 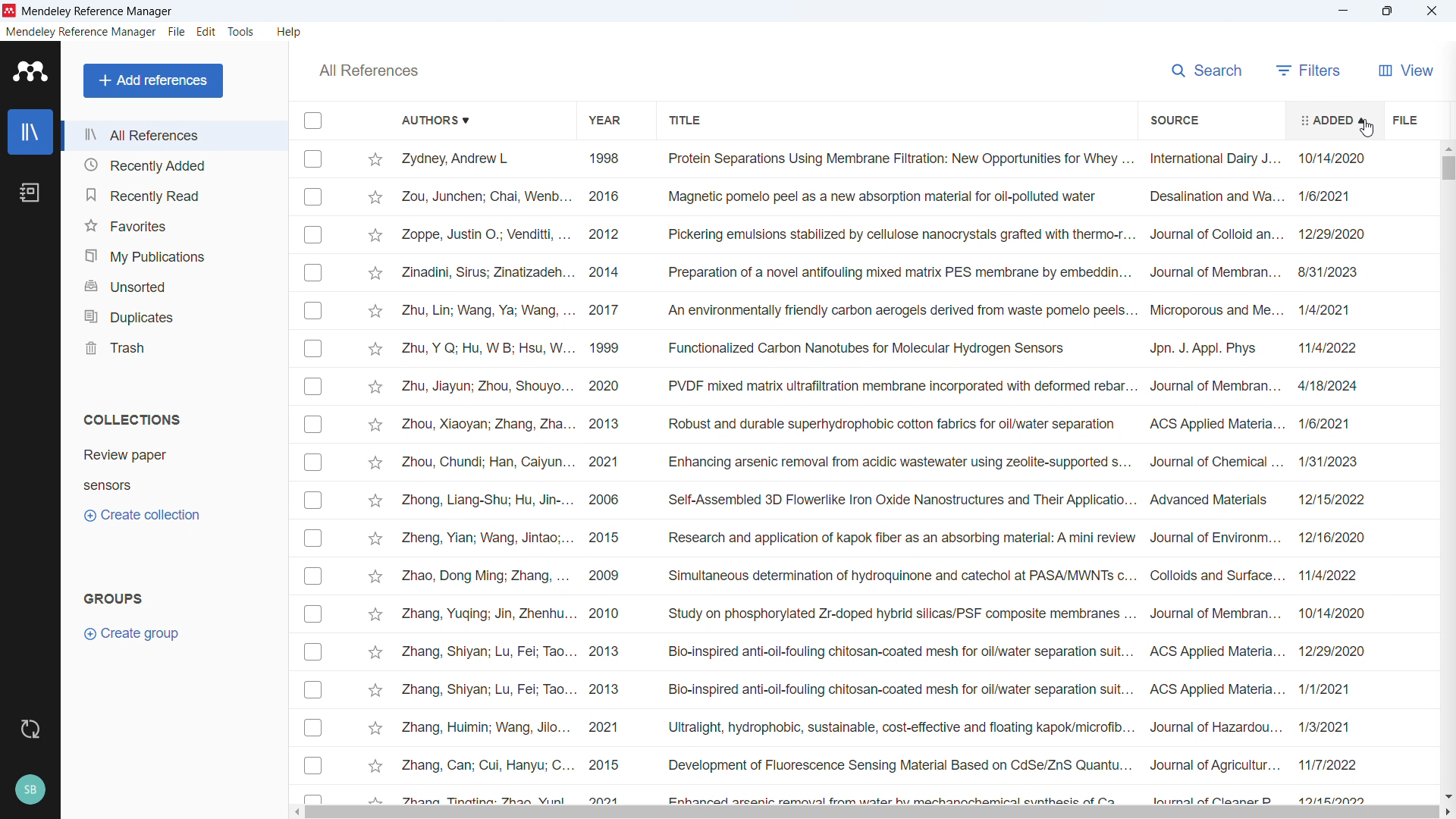 What do you see at coordinates (1447, 811) in the screenshot?
I see `Scroll right ` at bounding box center [1447, 811].